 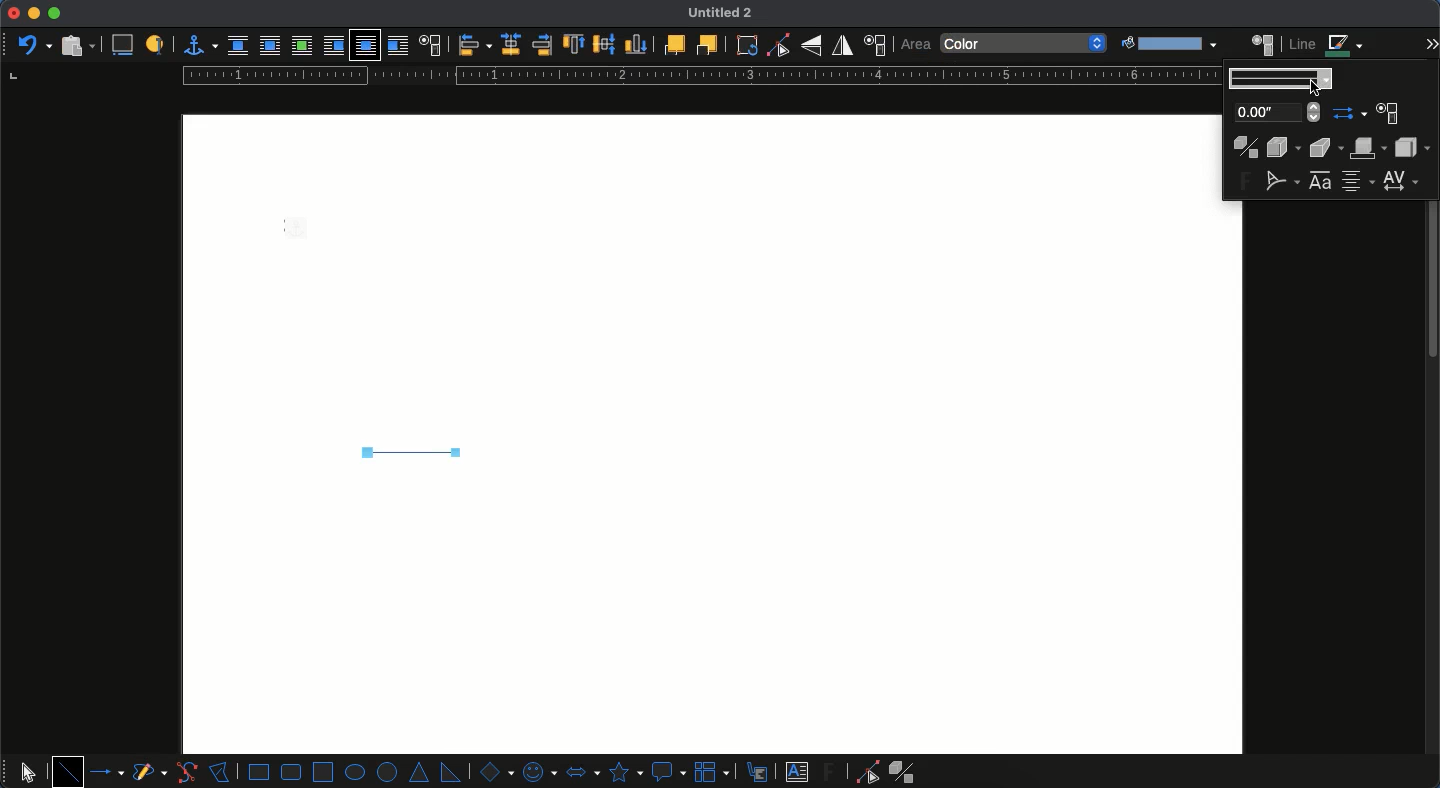 I want to click on Toggle point edit mode, so click(x=778, y=46).